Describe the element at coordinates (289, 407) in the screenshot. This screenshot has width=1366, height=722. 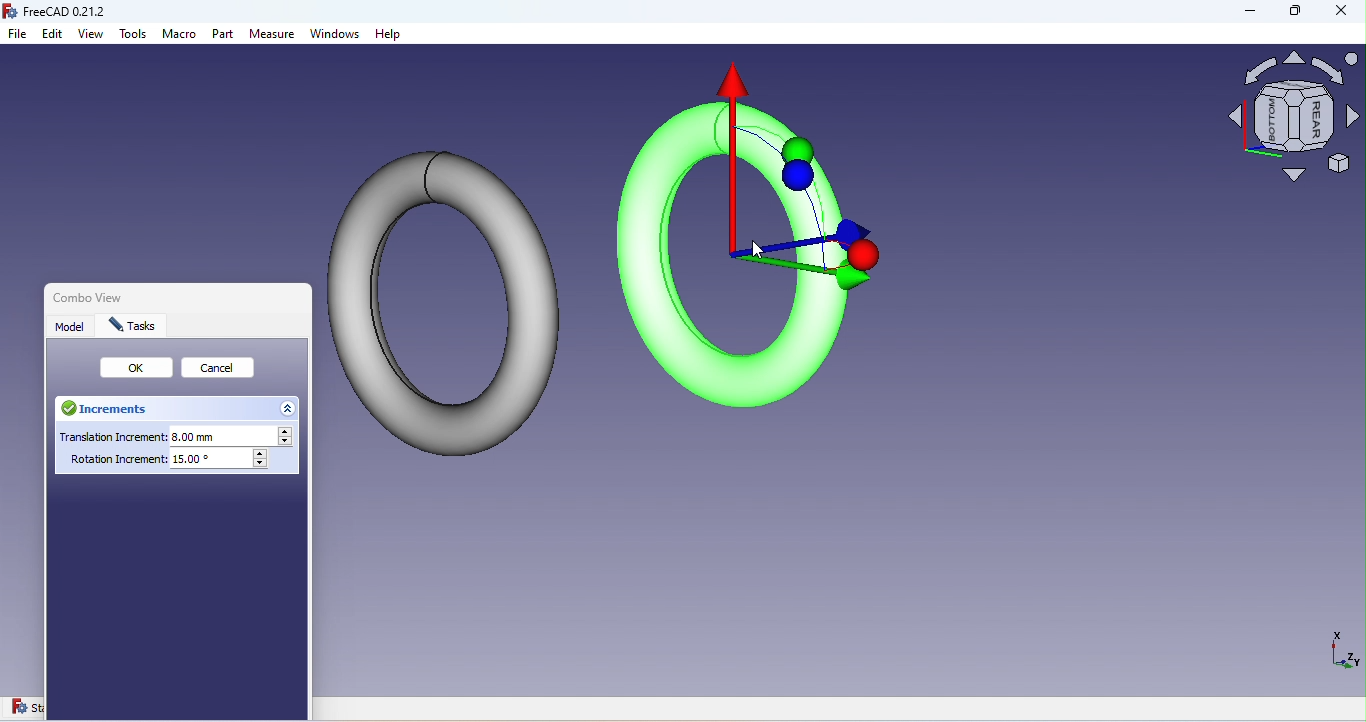
I see `Hide increments` at that location.